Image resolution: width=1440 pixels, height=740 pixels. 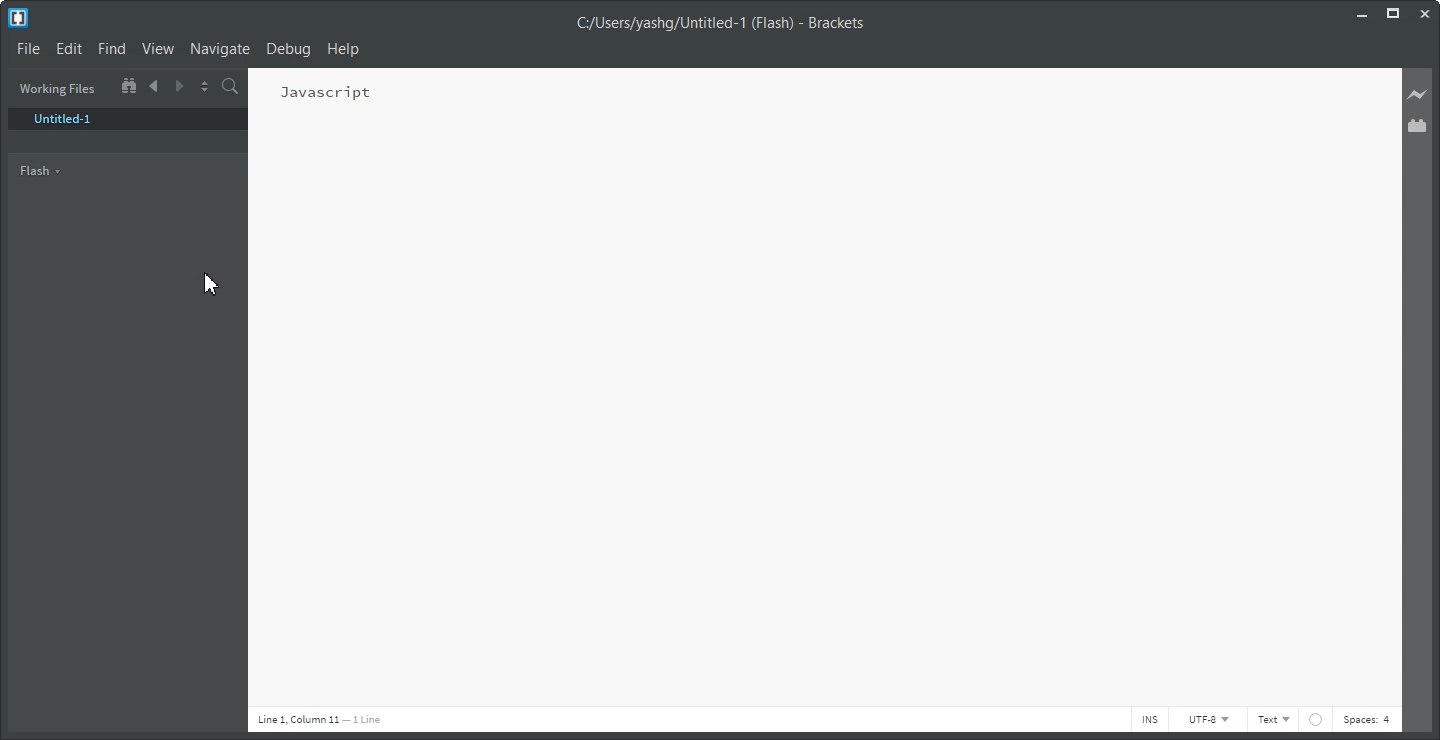 I want to click on Text, so click(x=1273, y=719).